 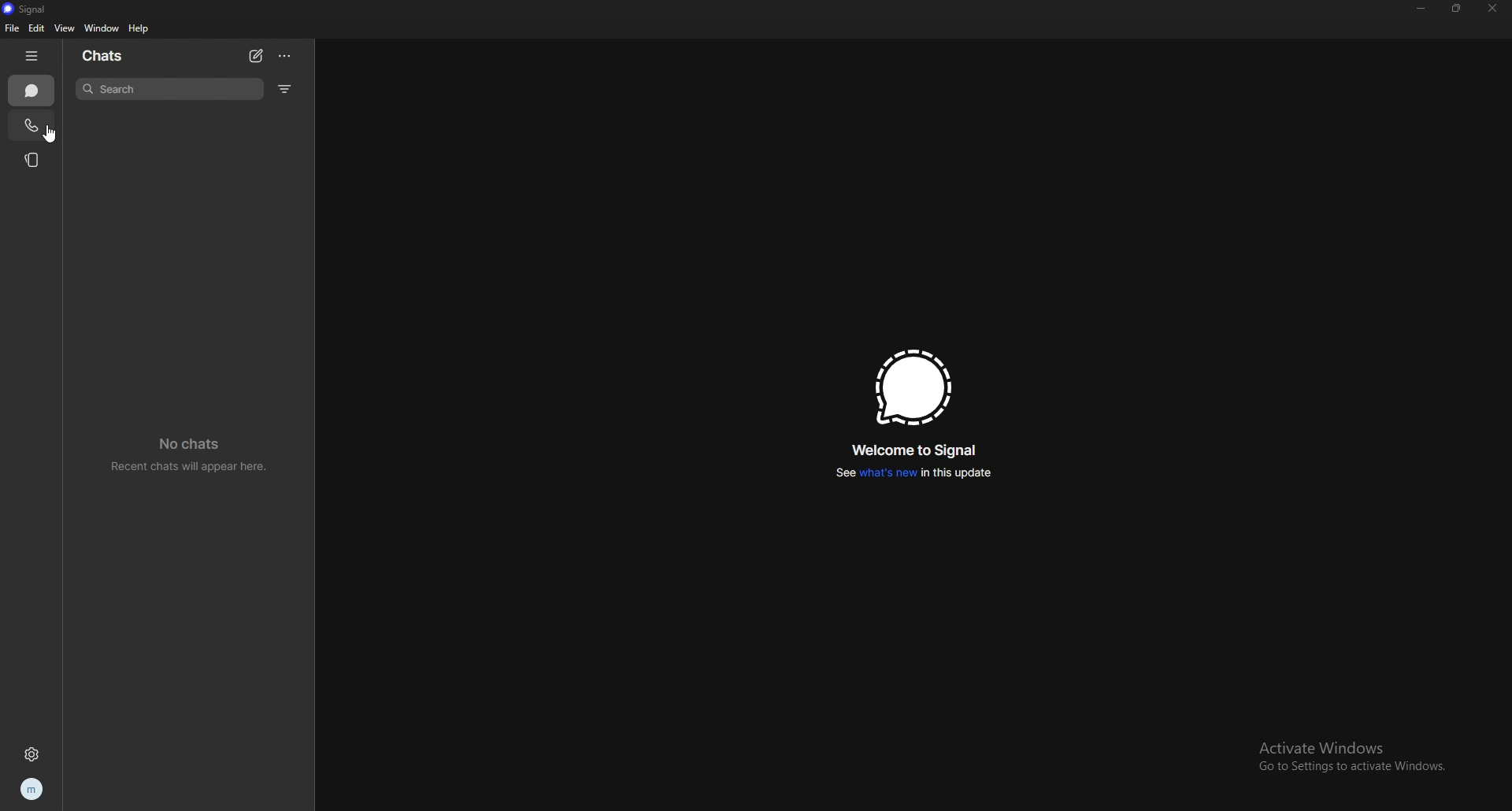 What do you see at coordinates (32, 91) in the screenshot?
I see `chats` at bounding box center [32, 91].